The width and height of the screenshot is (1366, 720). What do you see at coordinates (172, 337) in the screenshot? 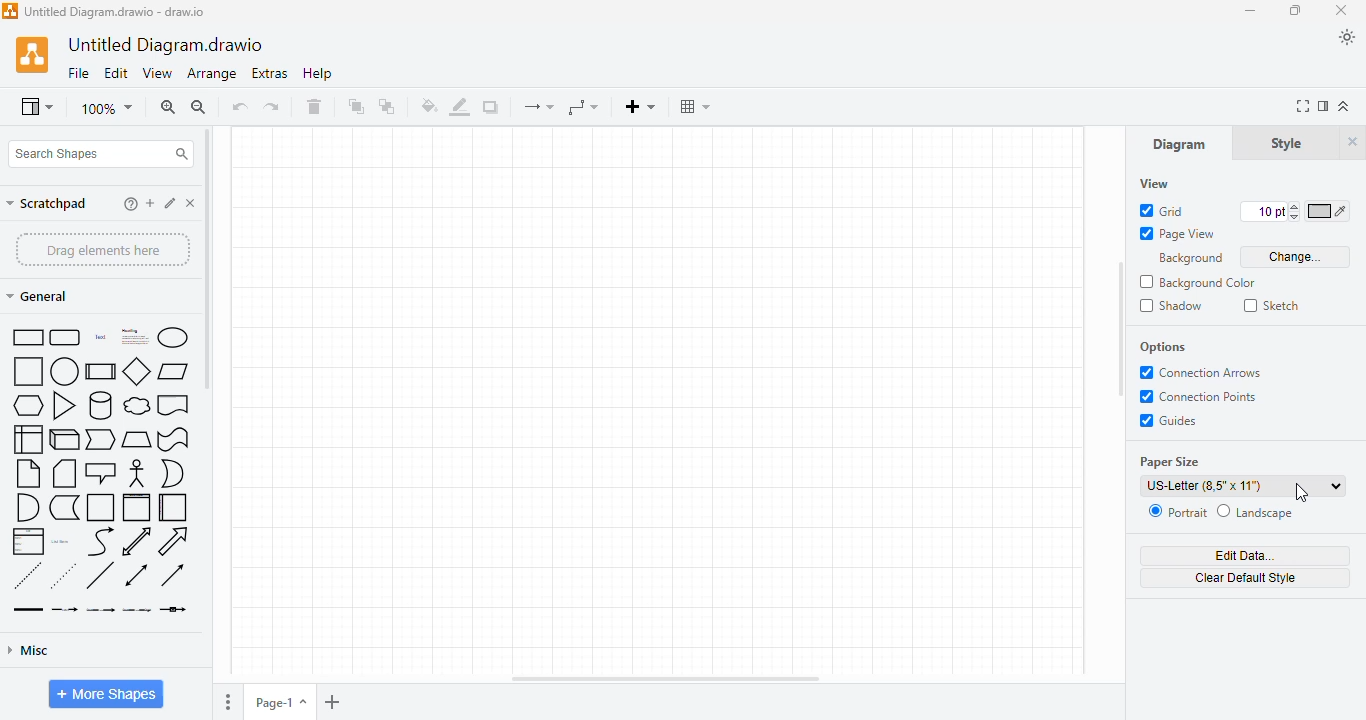
I see `ellipse` at bounding box center [172, 337].